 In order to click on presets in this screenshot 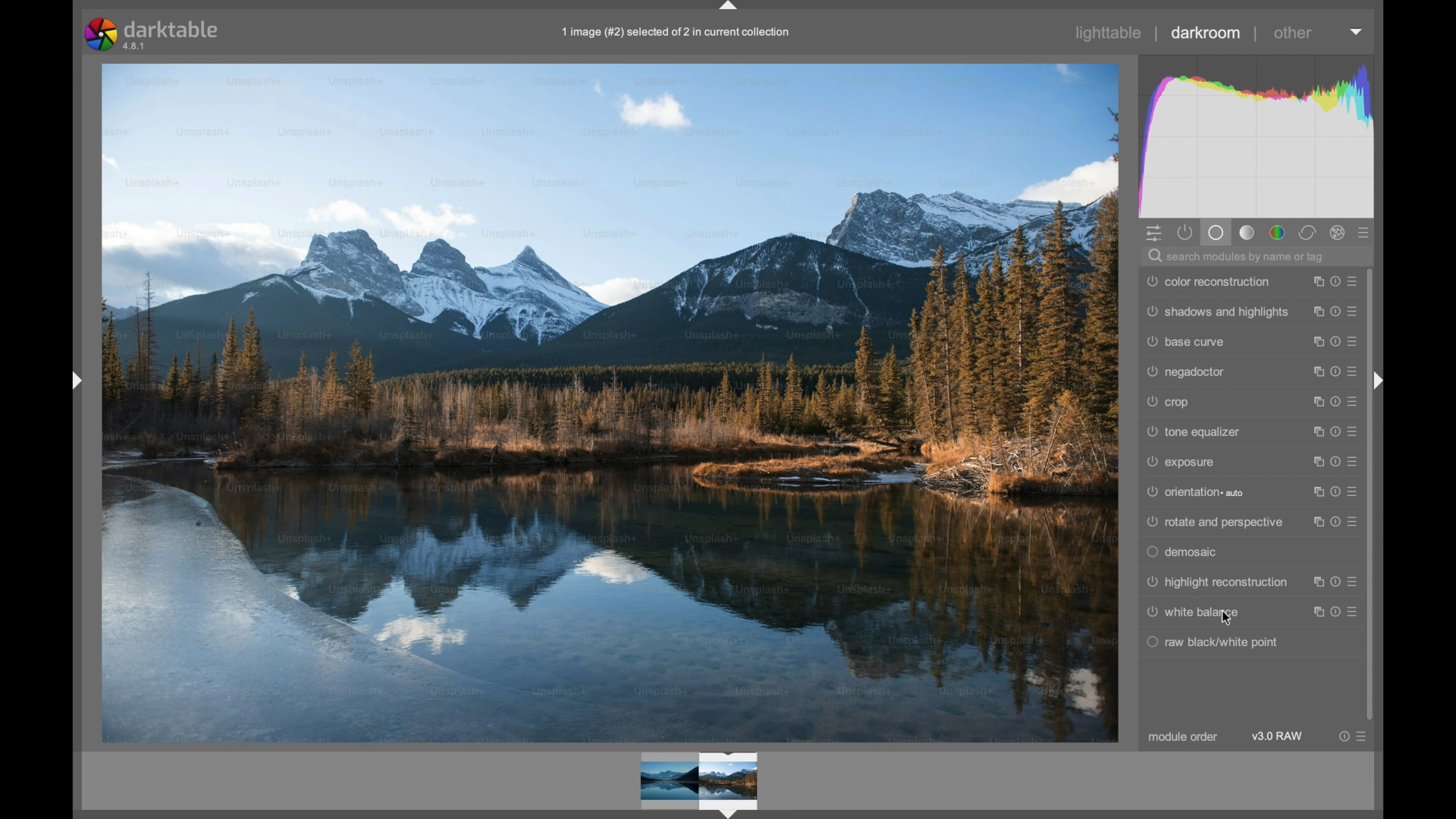, I will do `click(1365, 234)`.